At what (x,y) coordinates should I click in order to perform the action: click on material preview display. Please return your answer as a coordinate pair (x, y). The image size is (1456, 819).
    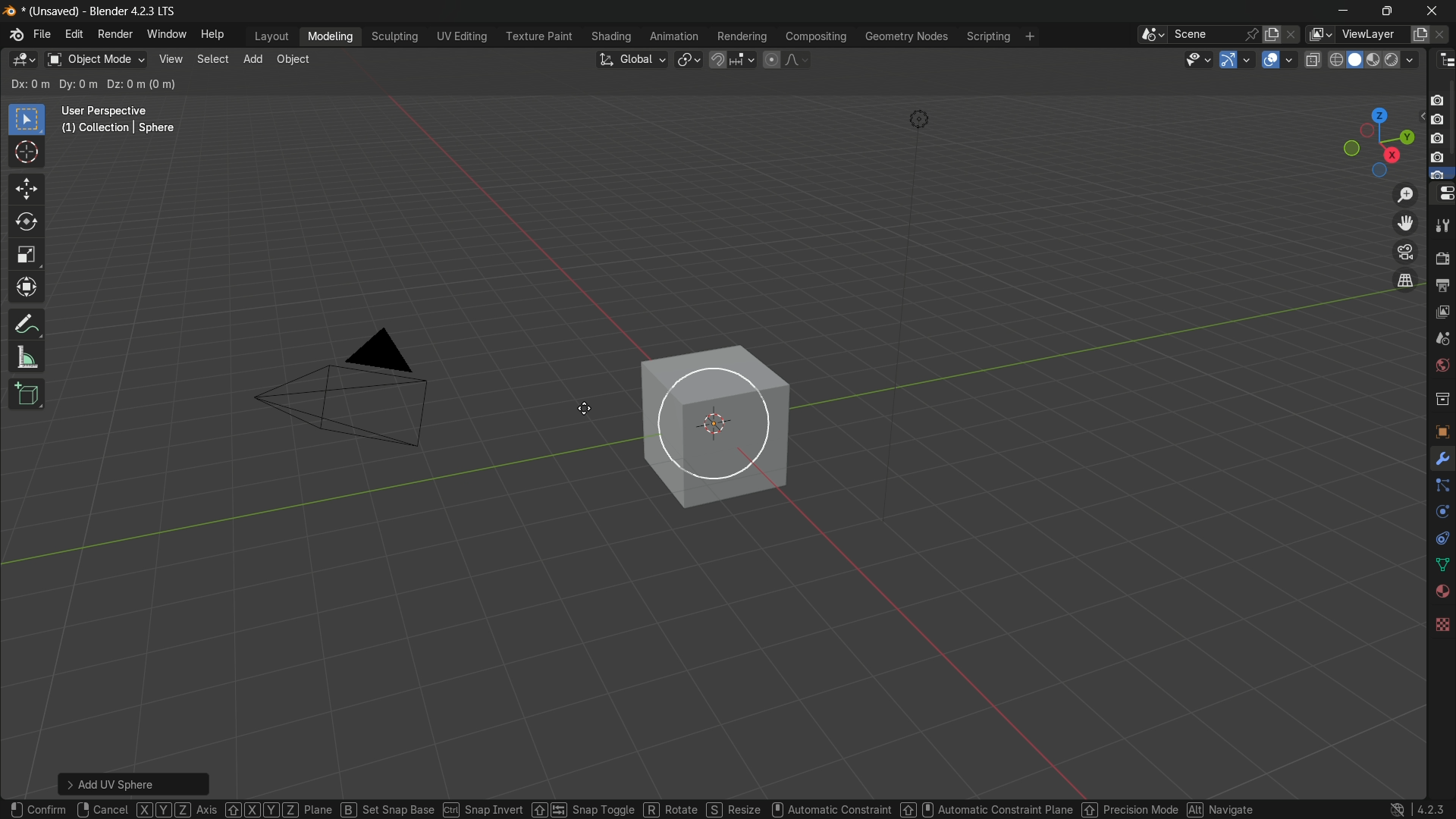
    Looking at the image, I should click on (1375, 58).